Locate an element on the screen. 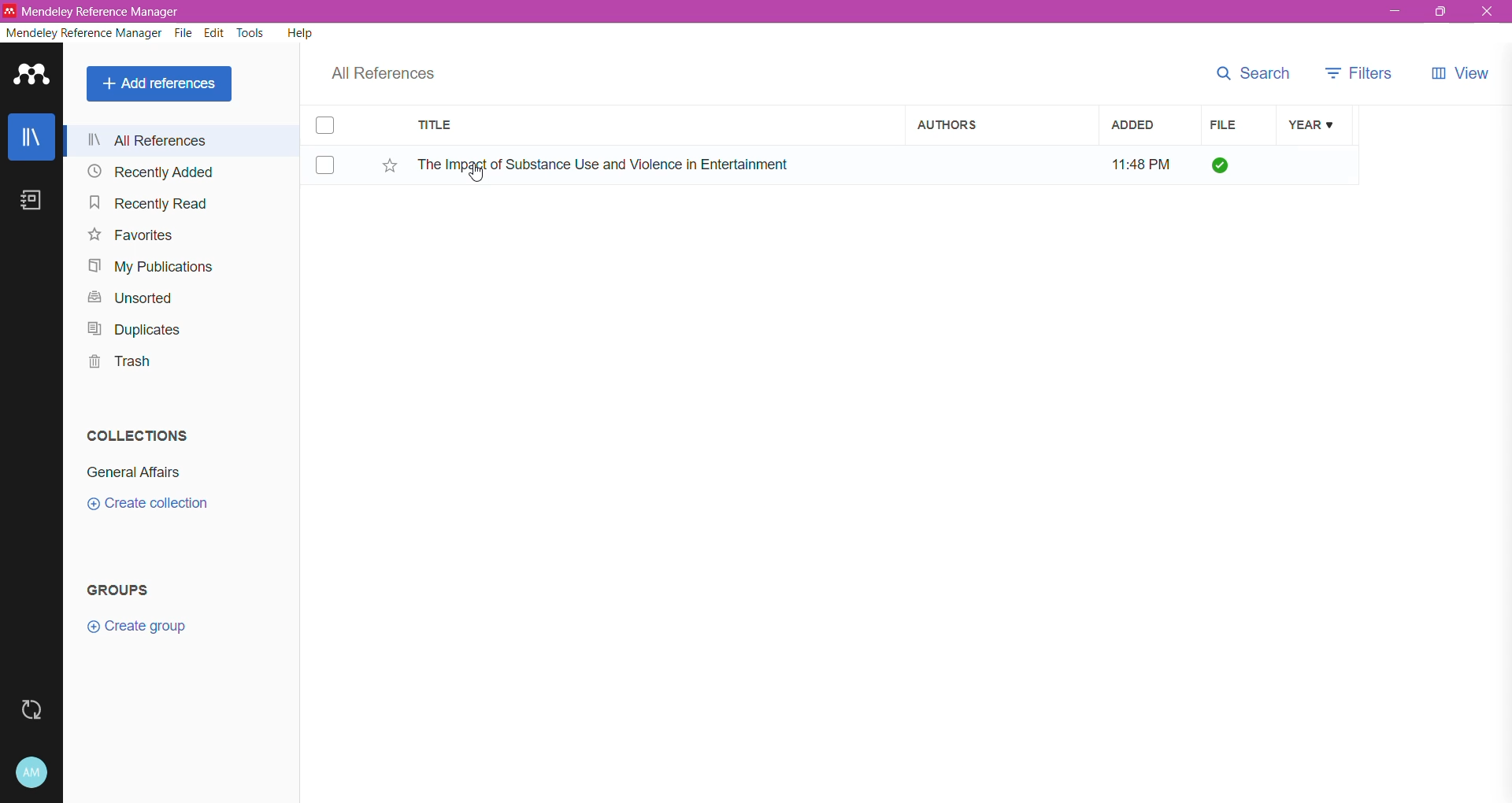 The width and height of the screenshot is (1512, 803). cursor is located at coordinates (476, 179).